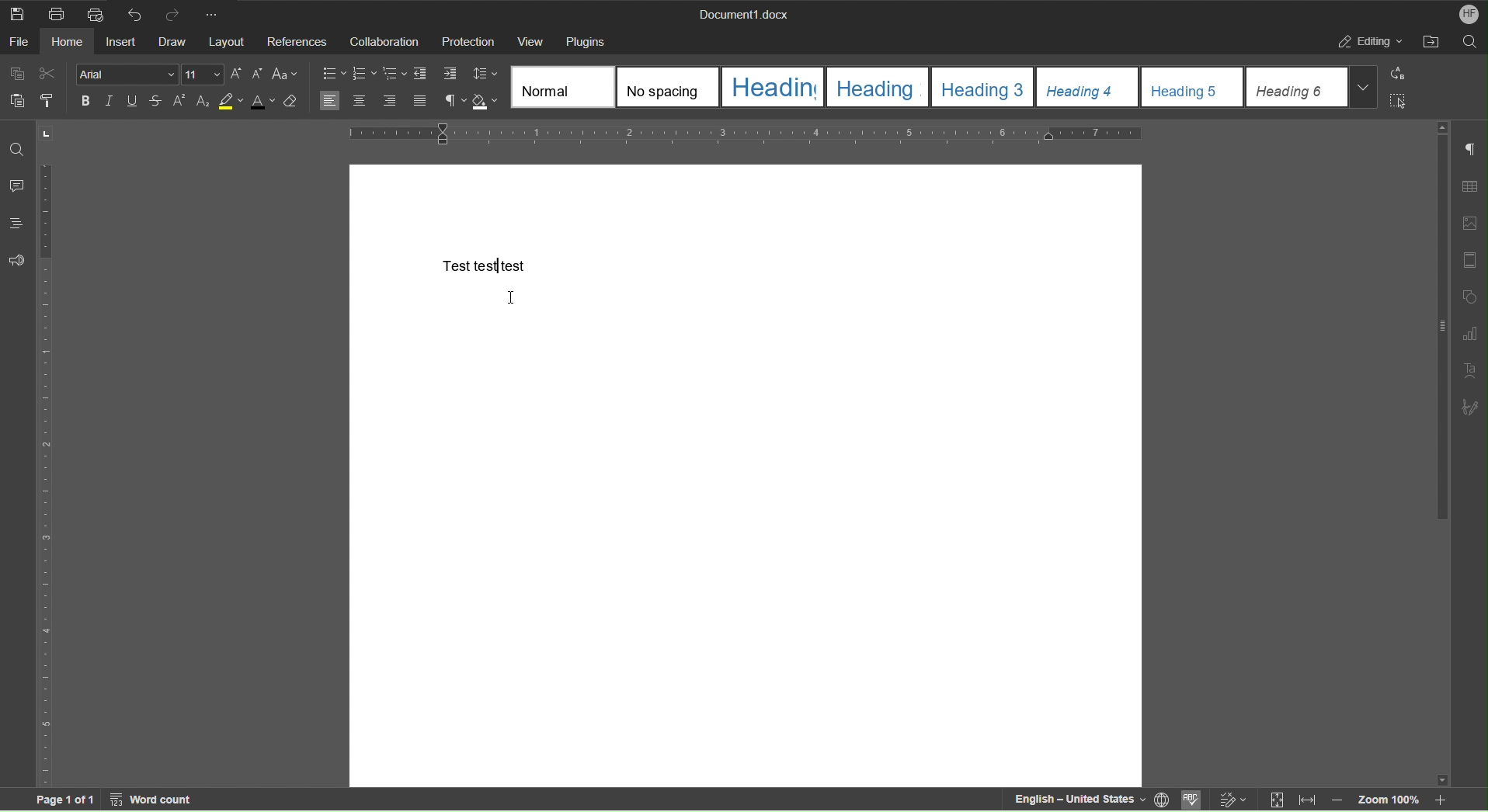 The width and height of the screenshot is (1488, 812). Describe the element at coordinates (454, 102) in the screenshot. I see `Non-Printing Characters` at that location.